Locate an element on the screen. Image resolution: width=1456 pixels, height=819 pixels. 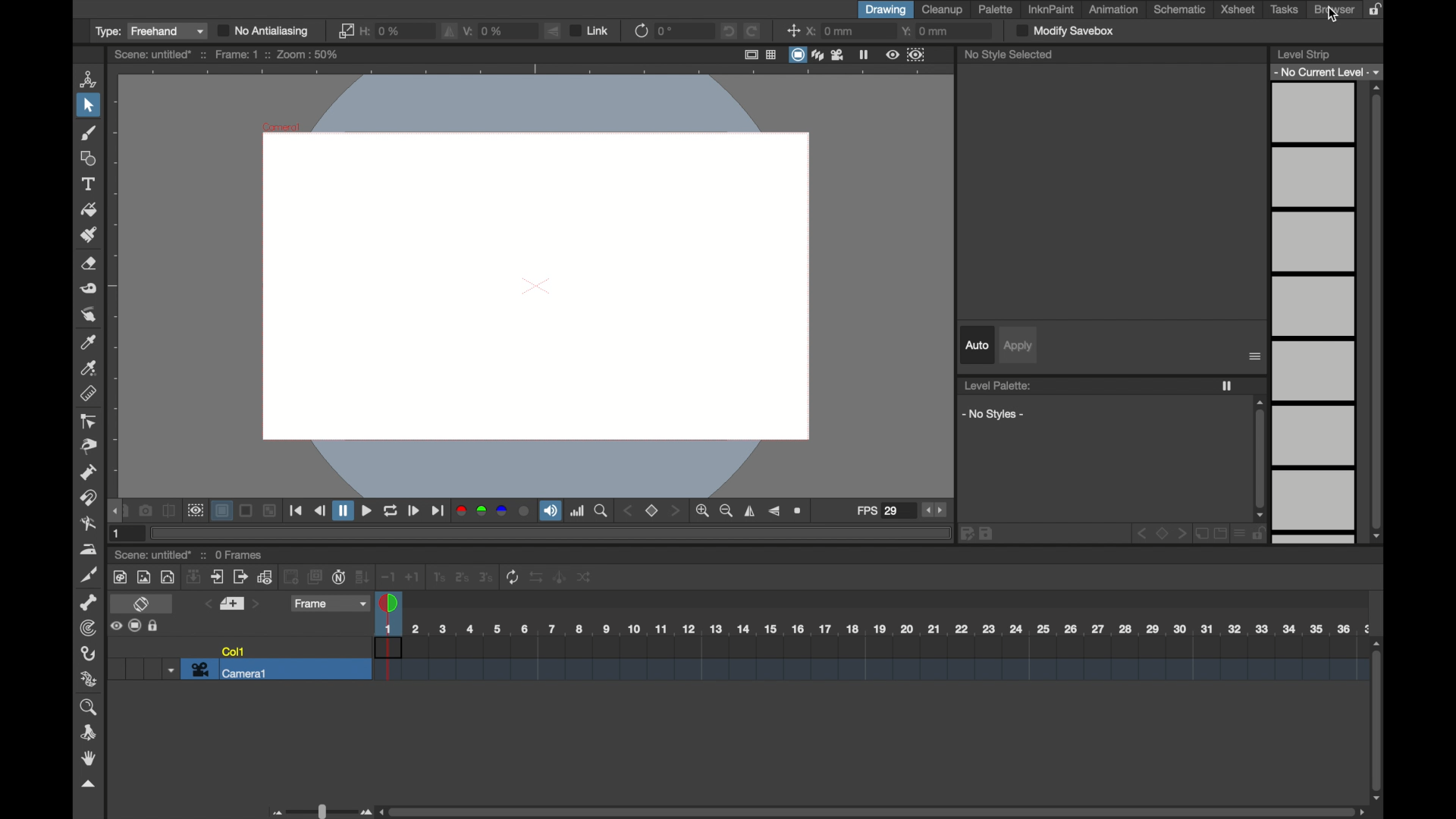
scroll box is located at coordinates (872, 811).